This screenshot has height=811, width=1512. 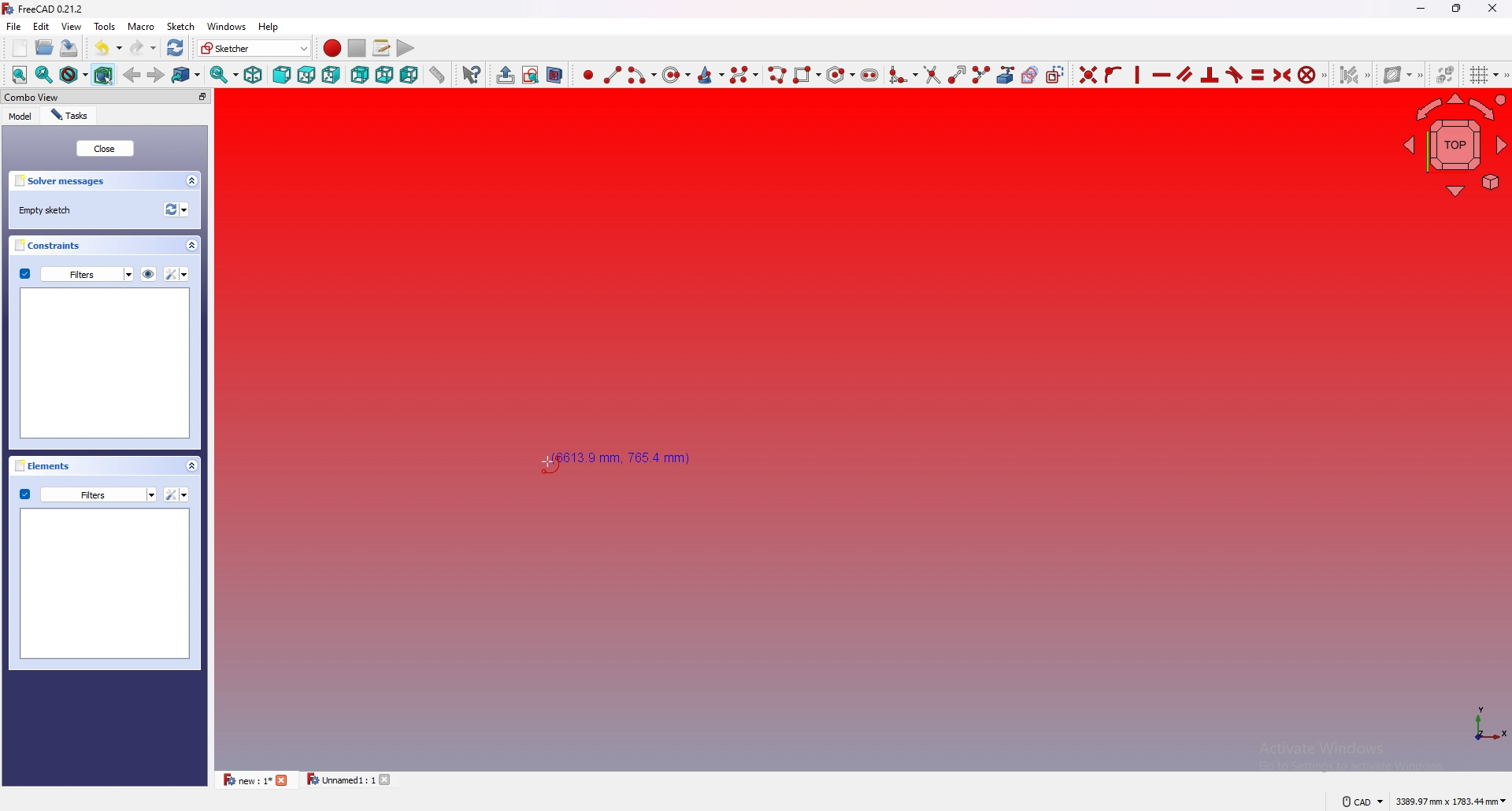 I want to click on cursor, so click(x=547, y=461).